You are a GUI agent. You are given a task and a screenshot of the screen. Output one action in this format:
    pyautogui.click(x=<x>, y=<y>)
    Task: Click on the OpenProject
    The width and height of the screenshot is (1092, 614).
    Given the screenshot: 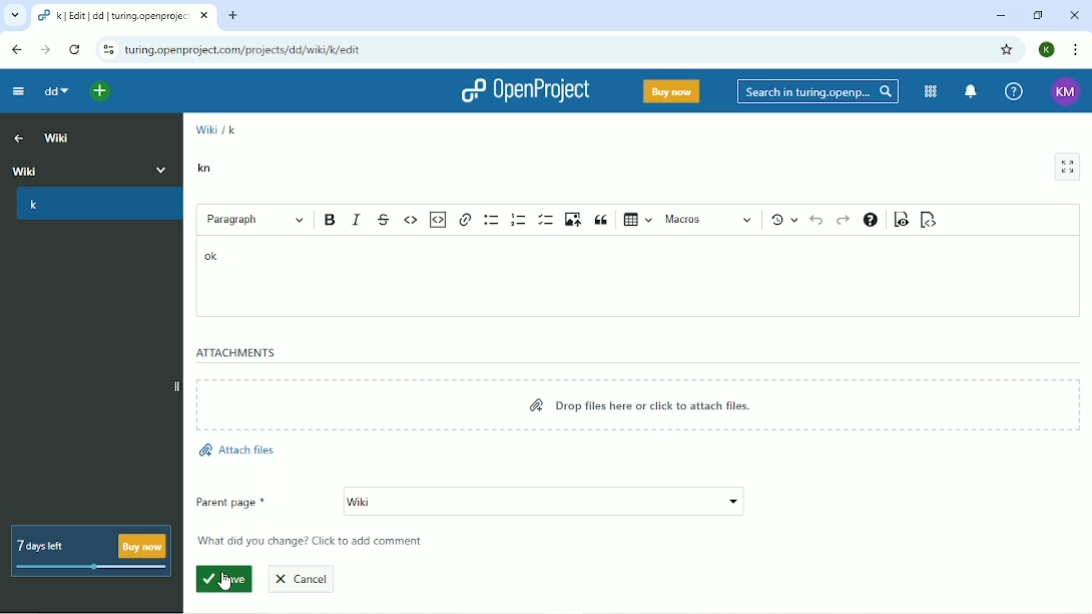 What is the action you would take?
    pyautogui.click(x=525, y=93)
    